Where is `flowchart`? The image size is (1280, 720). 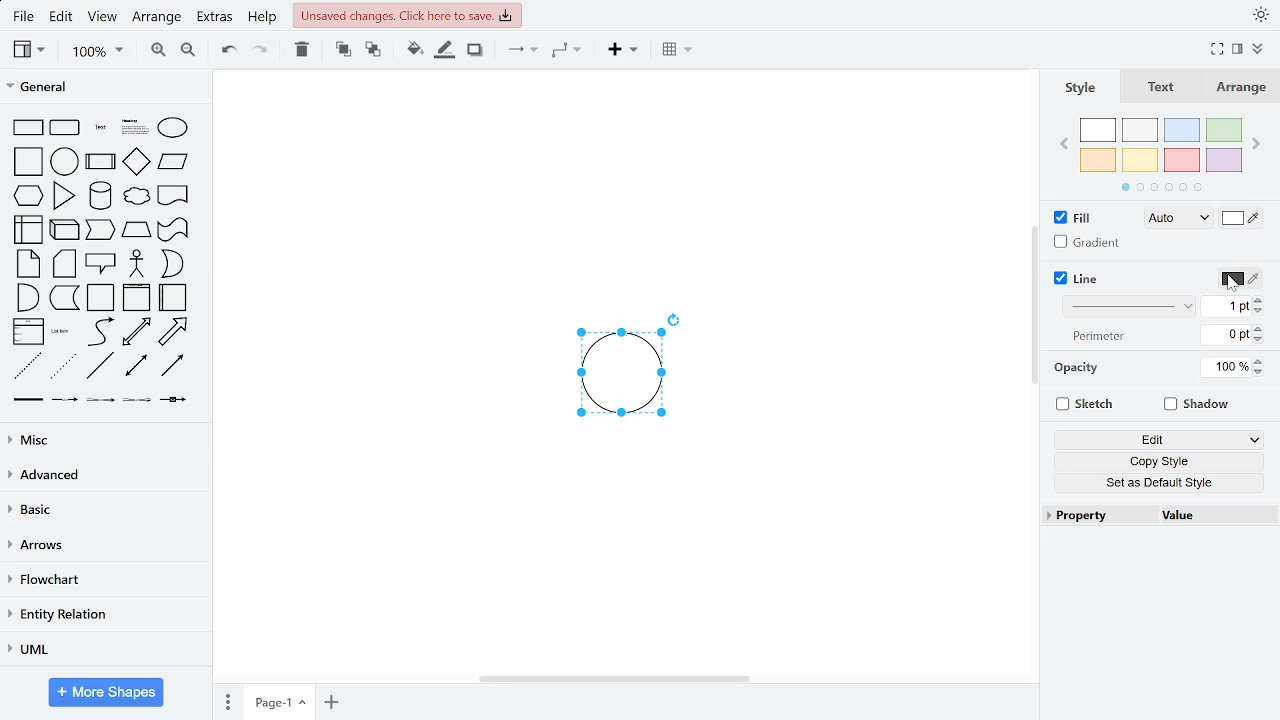 flowchart is located at coordinates (106, 580).